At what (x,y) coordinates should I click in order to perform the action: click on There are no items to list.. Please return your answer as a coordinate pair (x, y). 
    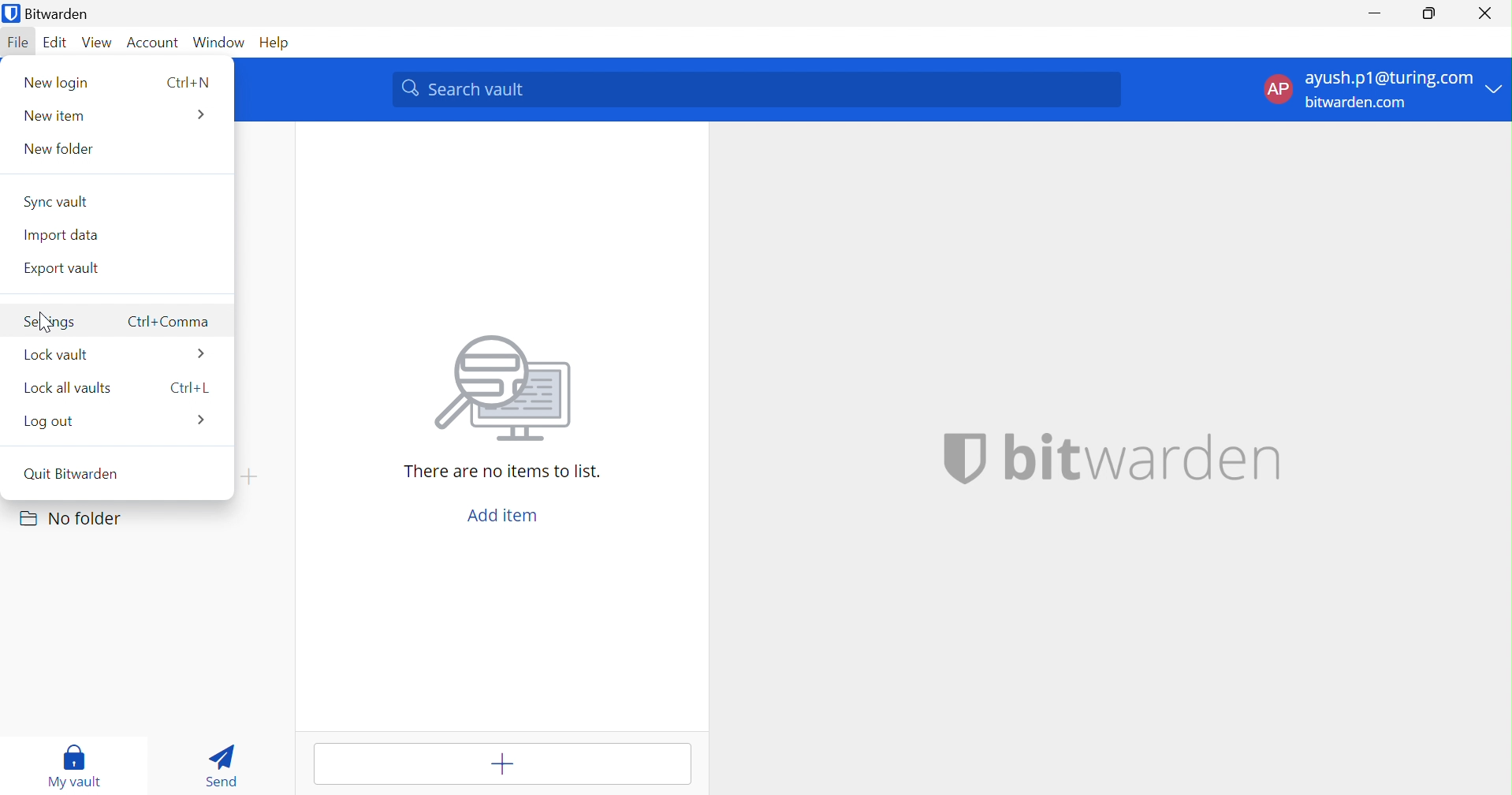
    Looking at the image, I should click on (502, 472).